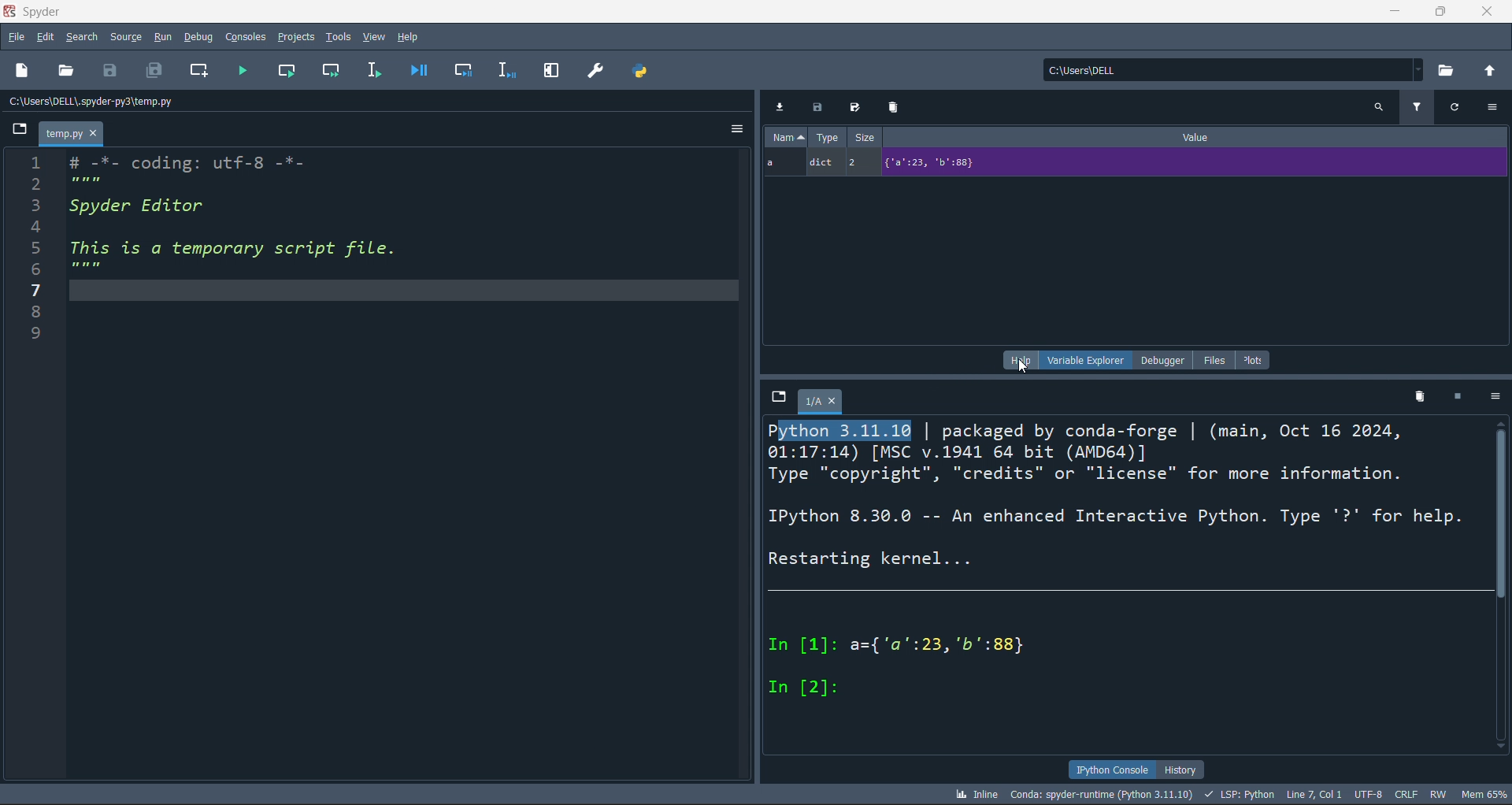 Image resolution: width=1512 pixels, height=805 pixels. Describe the element at coordinates (1084, 360) in the screenshot. I see `variable explorer` at that location.